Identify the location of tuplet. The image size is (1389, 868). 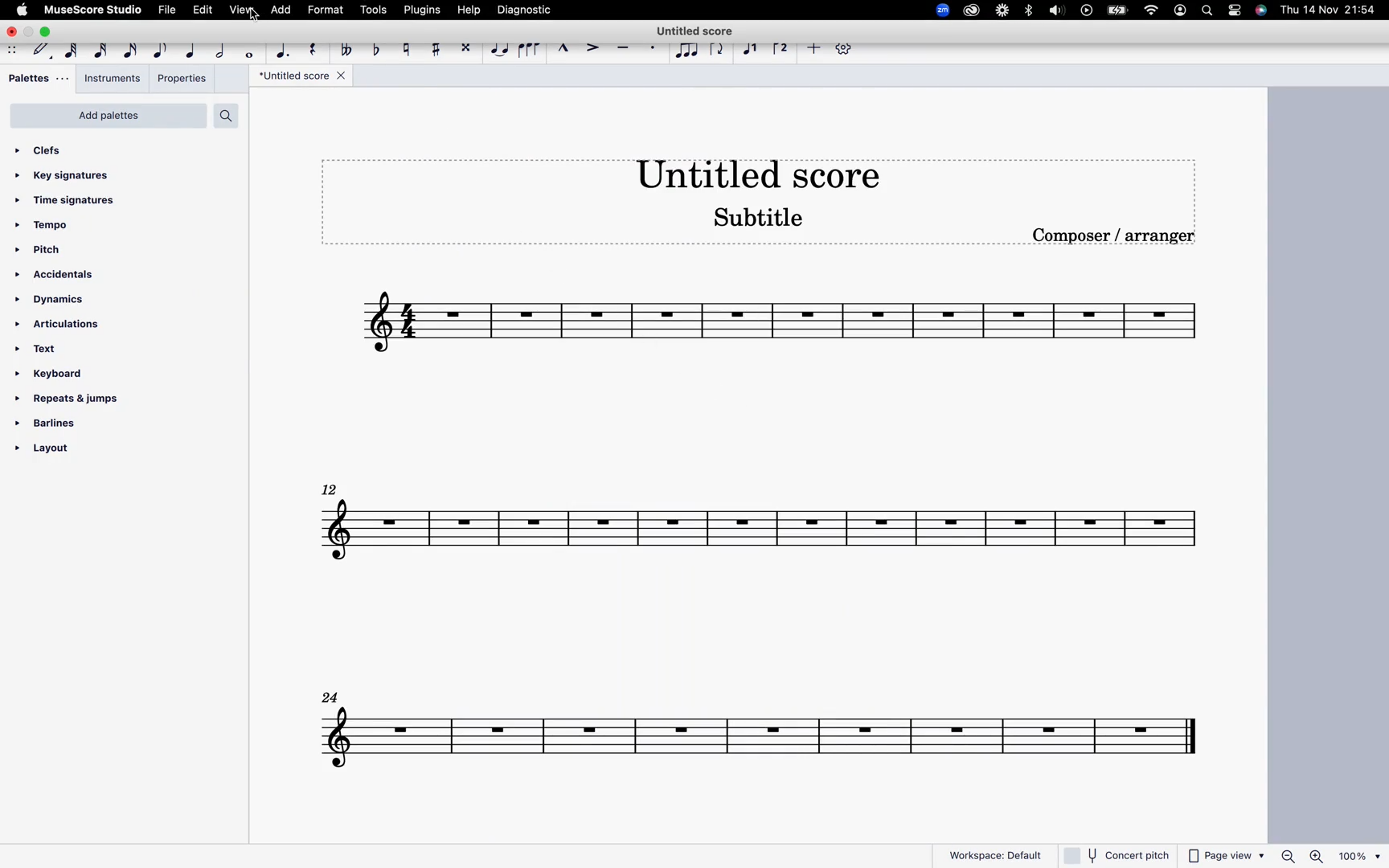
(683, 53).